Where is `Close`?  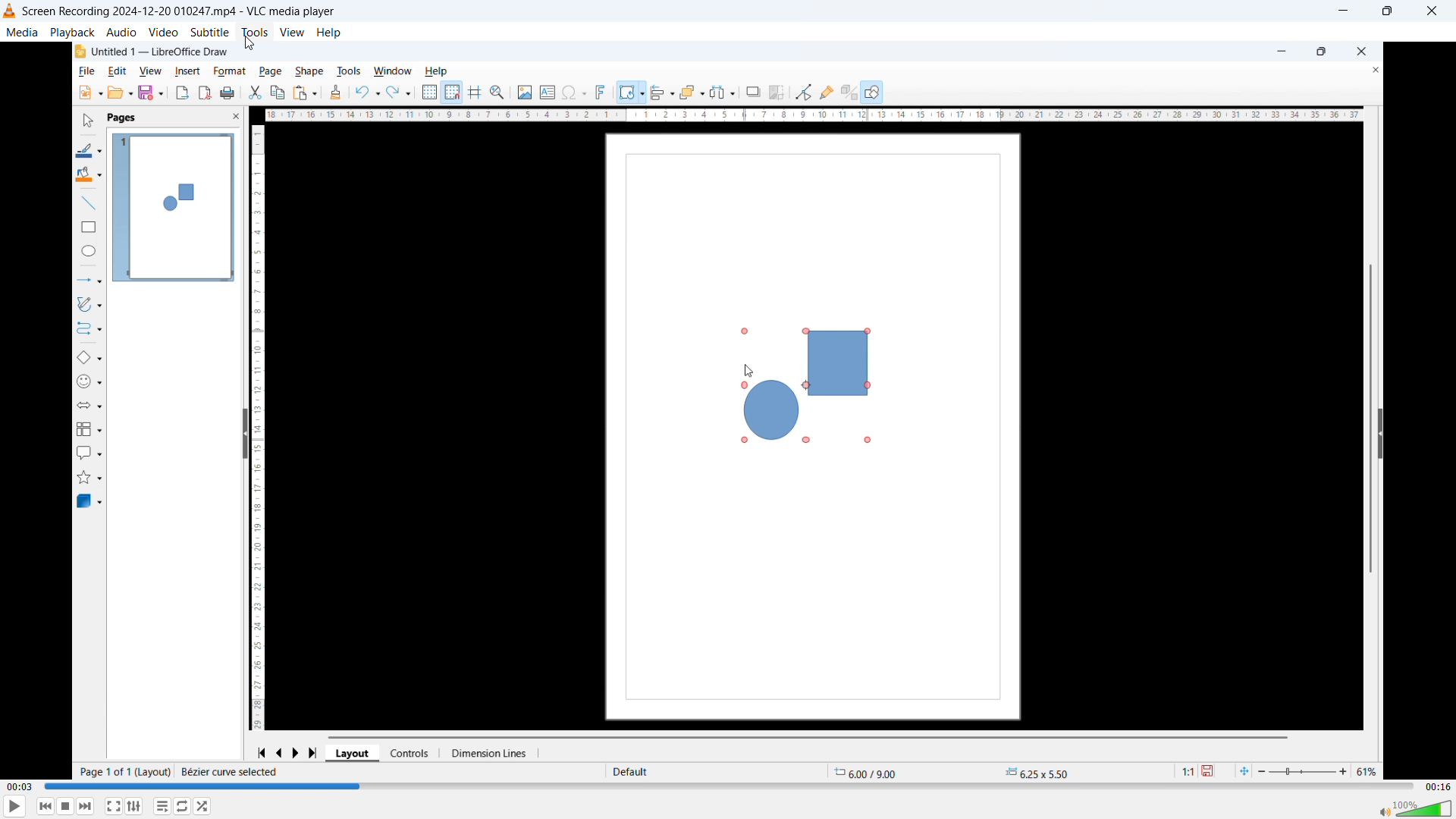
Close is located at coordinates (1435, 11).